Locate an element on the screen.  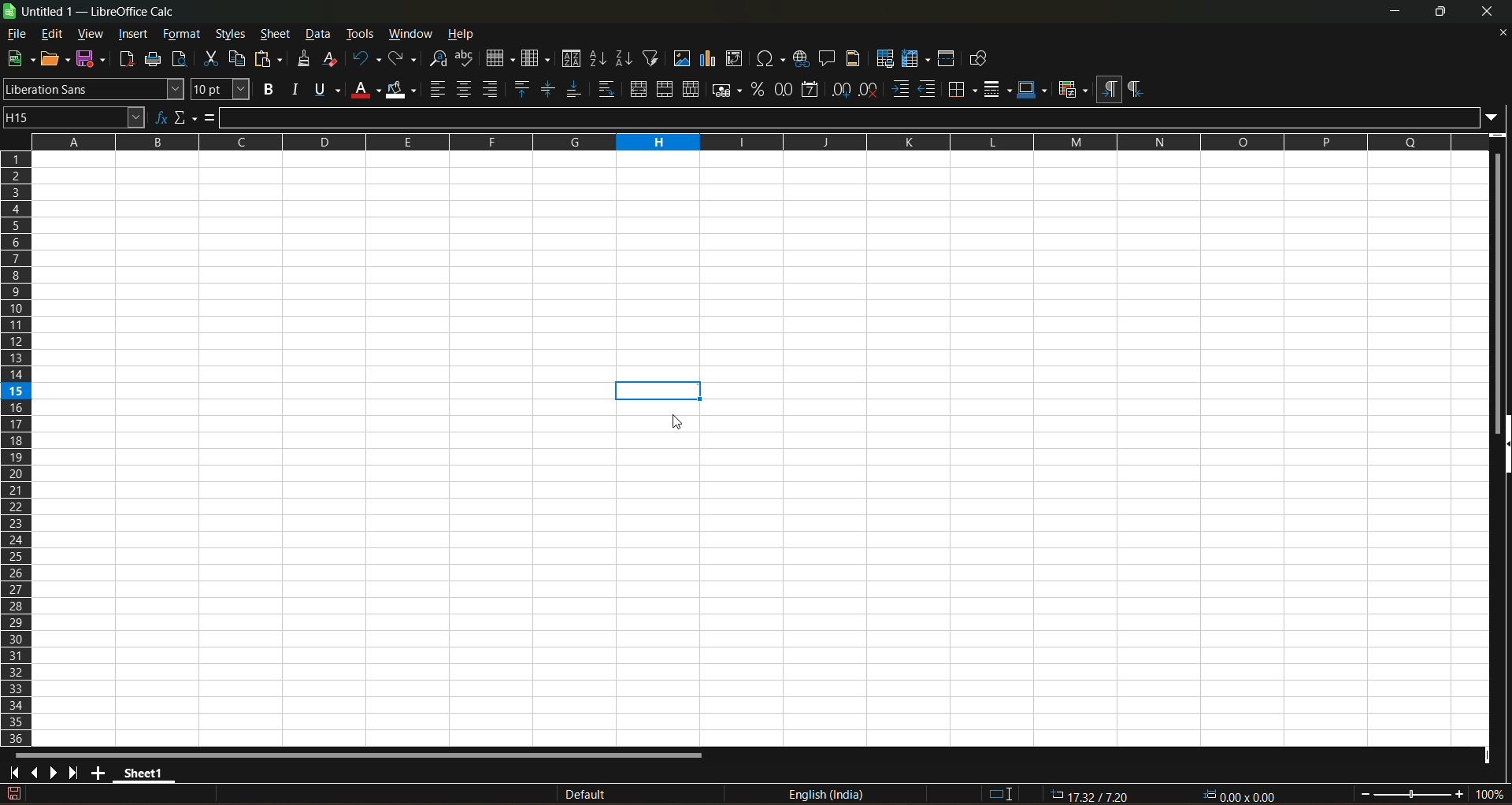
align left is located at coordinates (438, 90).